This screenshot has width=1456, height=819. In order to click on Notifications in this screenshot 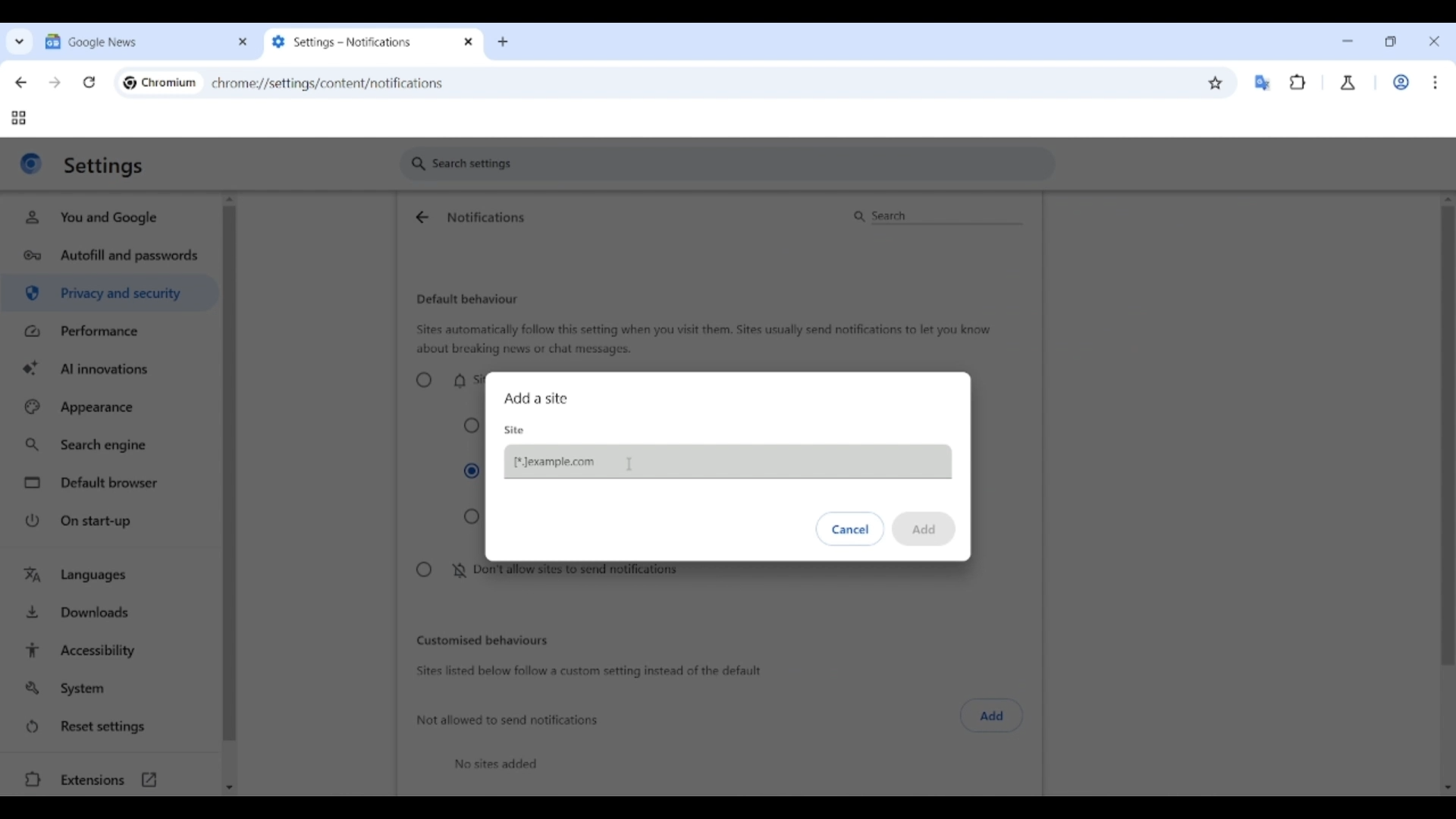, I will do `click(486, 217)`.